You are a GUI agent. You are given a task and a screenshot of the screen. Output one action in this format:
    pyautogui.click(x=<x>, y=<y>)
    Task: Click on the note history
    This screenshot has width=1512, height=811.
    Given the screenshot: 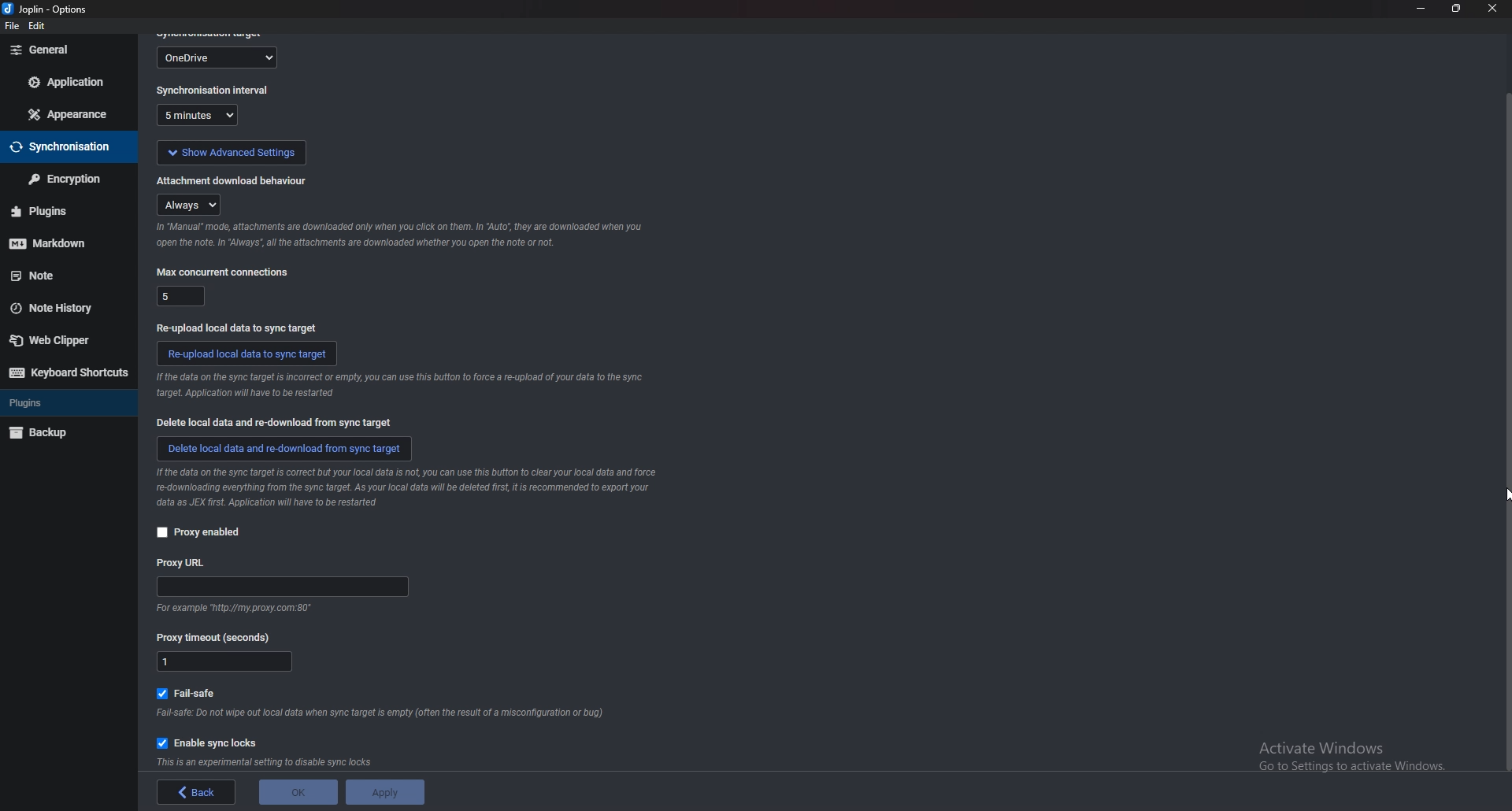 What is the action you would take?
    pyautogui.click(x=60, y=308)
    